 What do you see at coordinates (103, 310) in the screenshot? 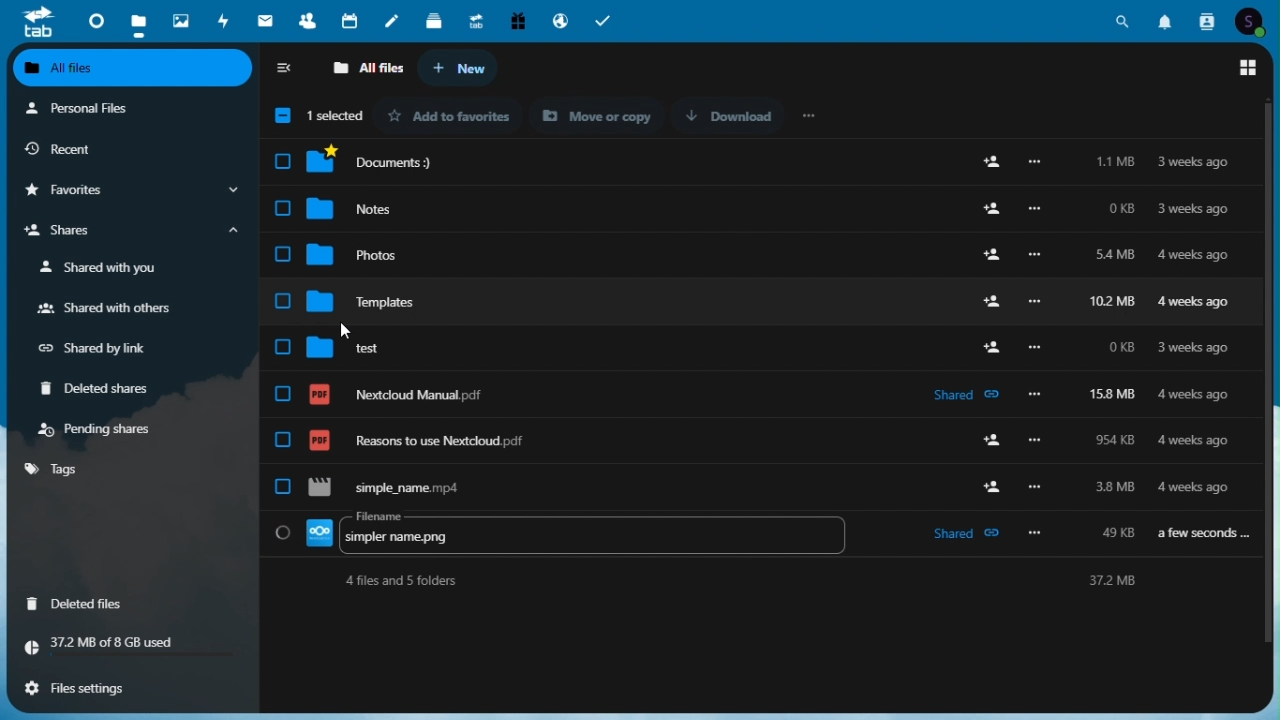
I see `shared with others` at bounding box center [103, 310].